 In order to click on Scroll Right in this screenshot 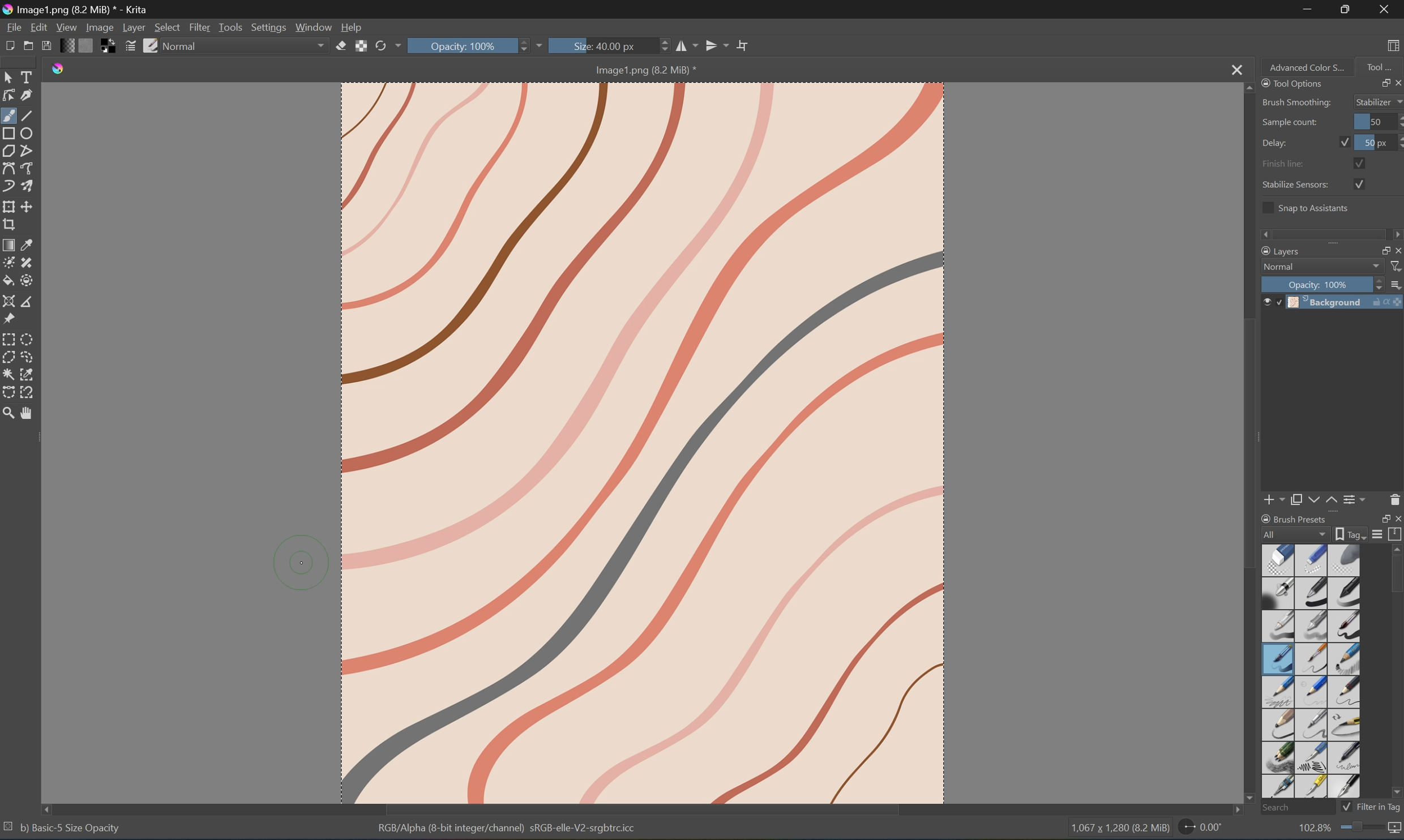, I will do `click(1396, 233)`.